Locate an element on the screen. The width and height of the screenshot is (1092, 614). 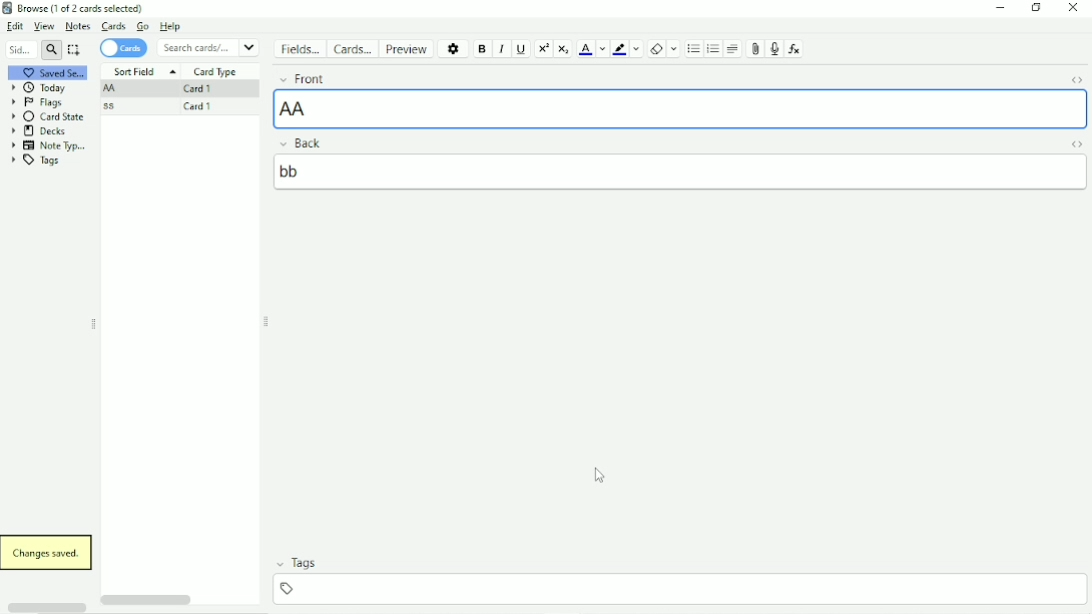
Horizontal scrollbar is located at coordinates (46, 607).